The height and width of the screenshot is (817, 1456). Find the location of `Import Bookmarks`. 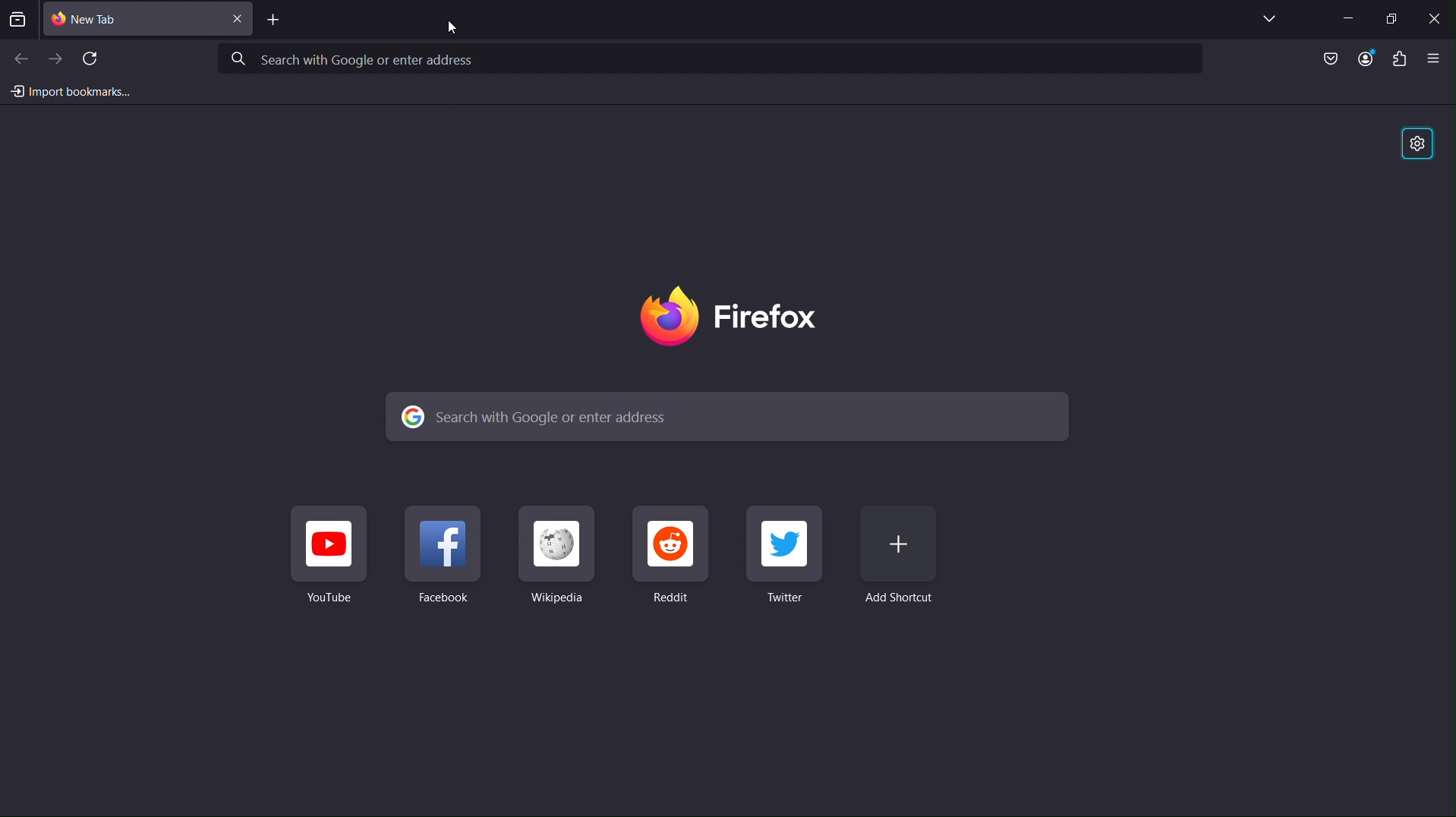

Import Bookmarks is located at coordinates (68, 90).